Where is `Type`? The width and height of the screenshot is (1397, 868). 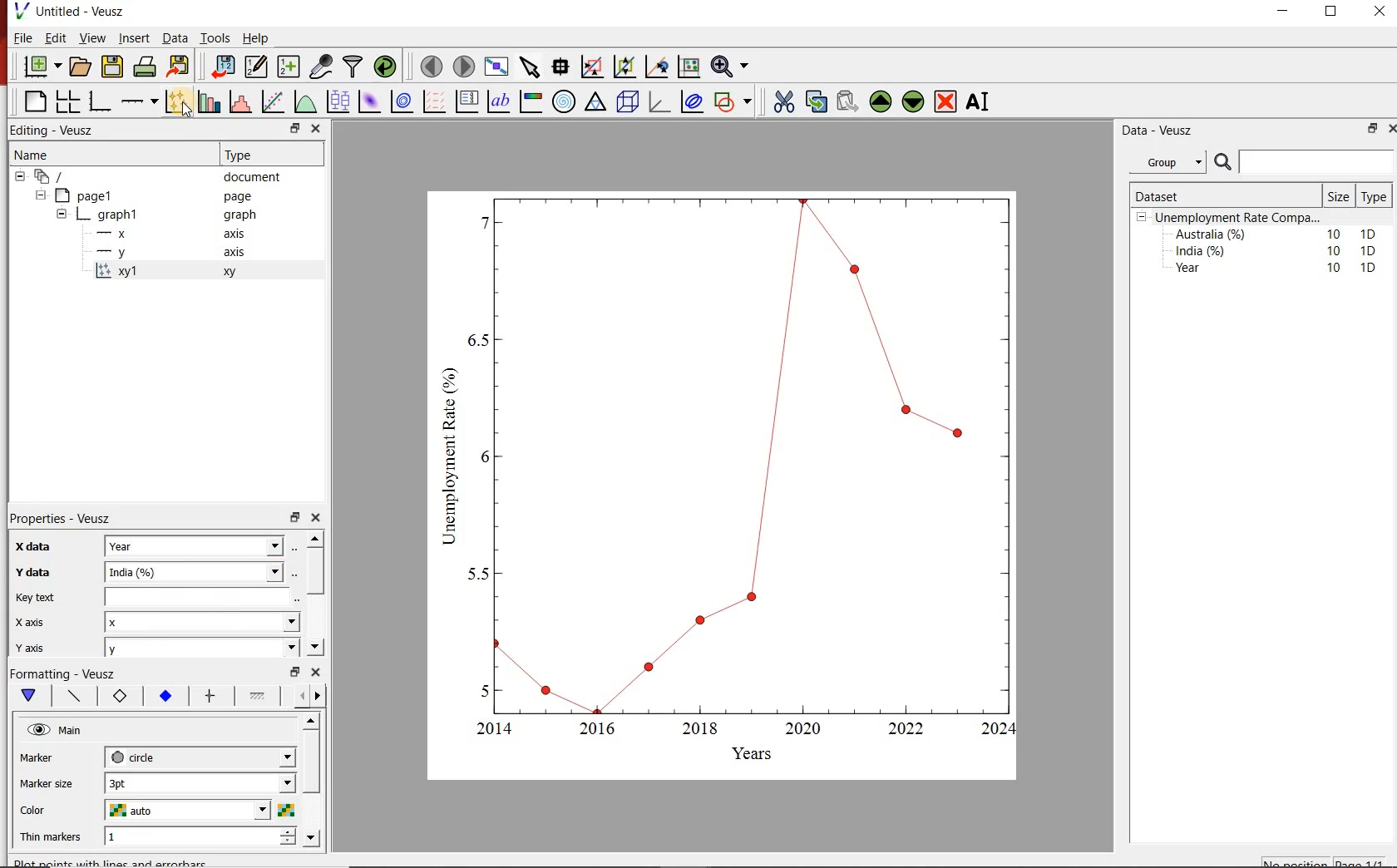 Type is located at coordinates (1373, 197).